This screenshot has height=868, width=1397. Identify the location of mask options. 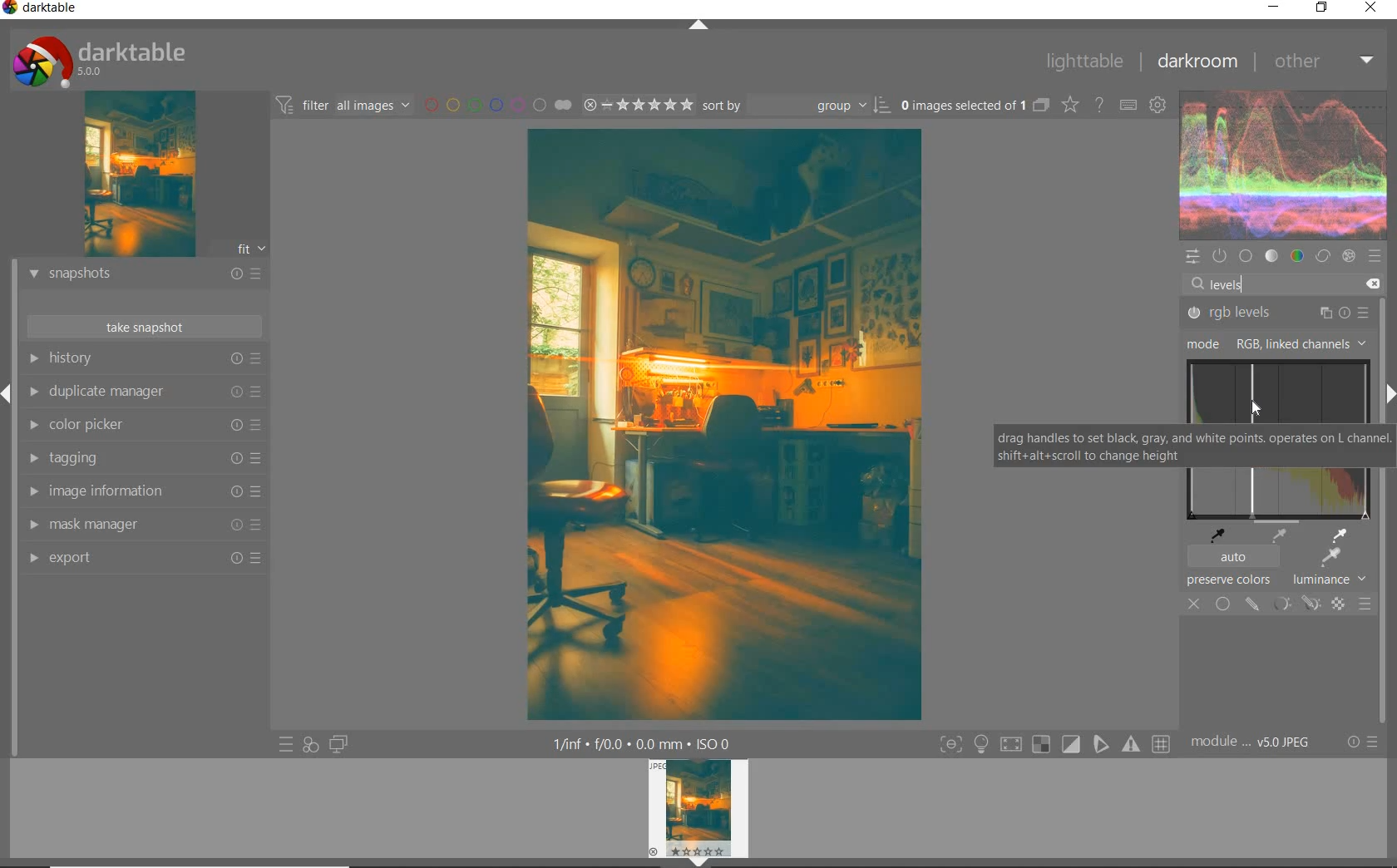
(1294, 604).